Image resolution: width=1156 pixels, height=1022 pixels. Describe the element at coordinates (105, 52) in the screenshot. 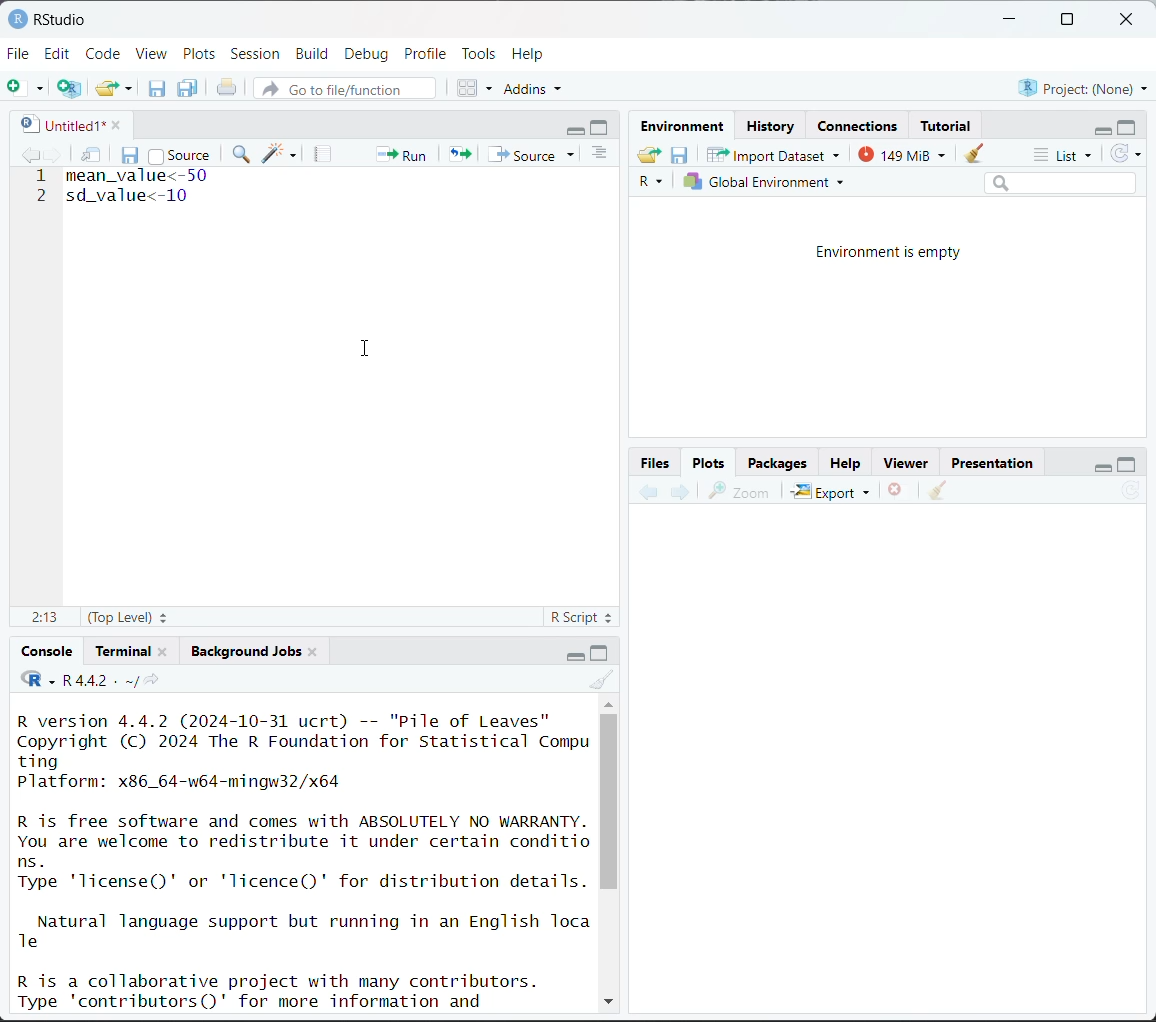

I see `Code` at that location.